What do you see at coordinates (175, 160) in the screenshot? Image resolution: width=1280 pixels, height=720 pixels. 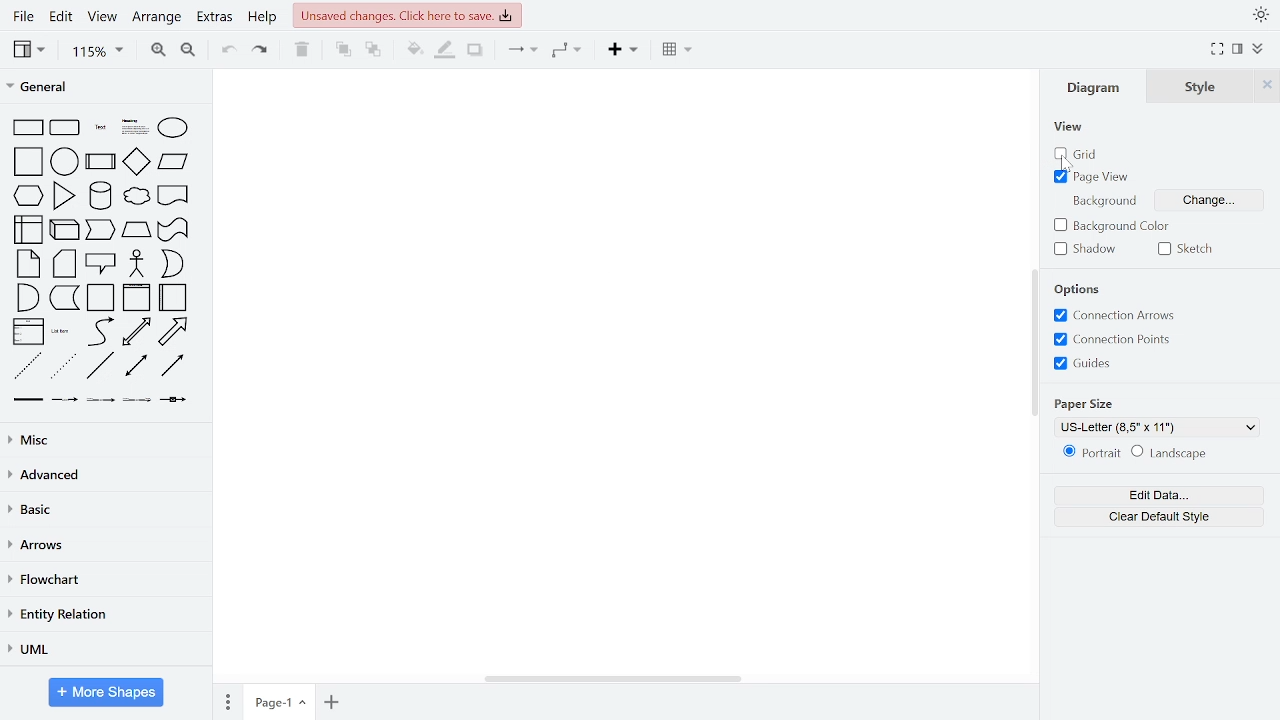 I see `paralellogram` at bounding box center [175, 160].